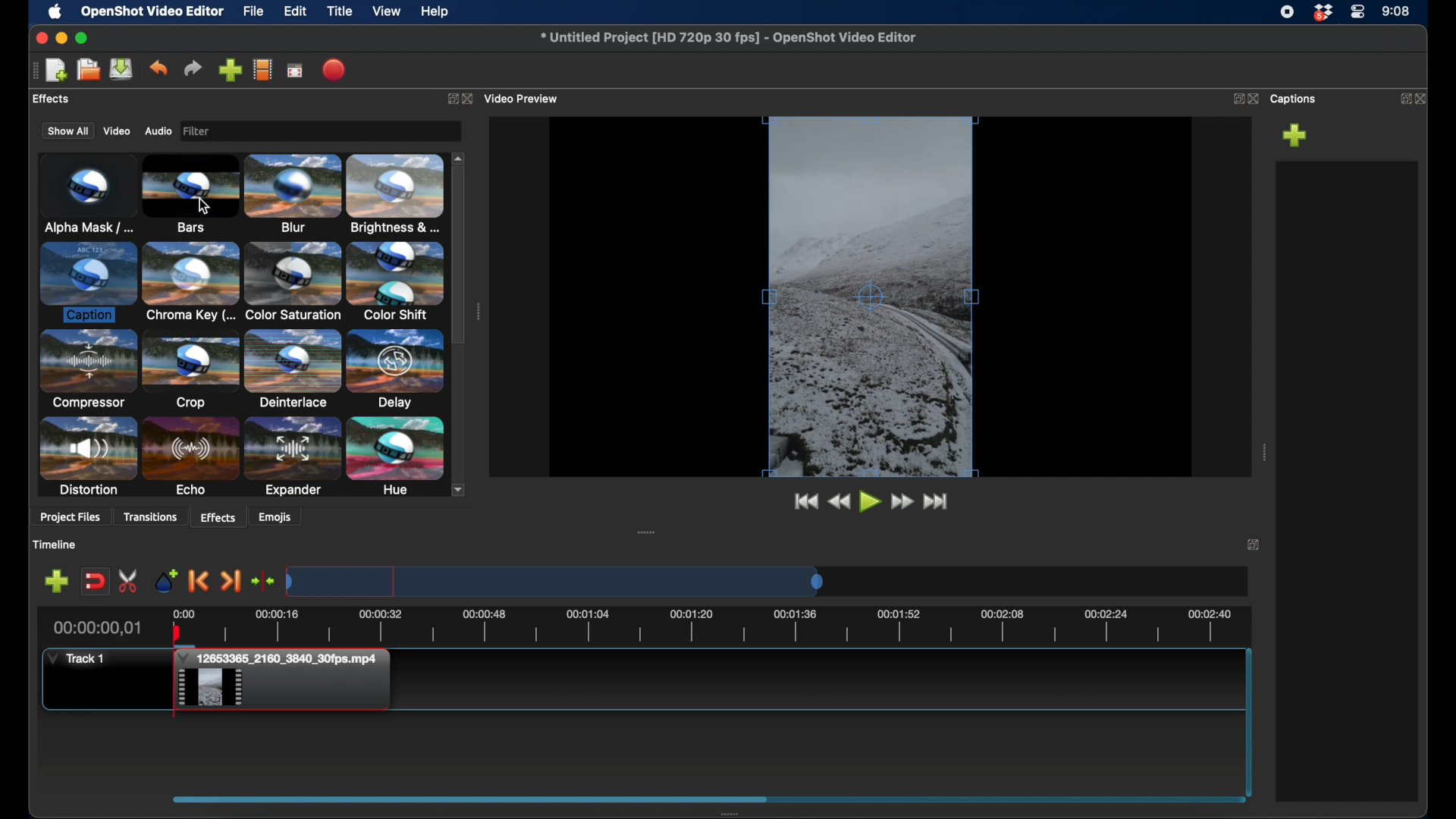 This screenshot has height=819, width=1456. What do you see at coordinates (57, 69) in the screenshot?
I see `new project` at bounding box center [57, 69].